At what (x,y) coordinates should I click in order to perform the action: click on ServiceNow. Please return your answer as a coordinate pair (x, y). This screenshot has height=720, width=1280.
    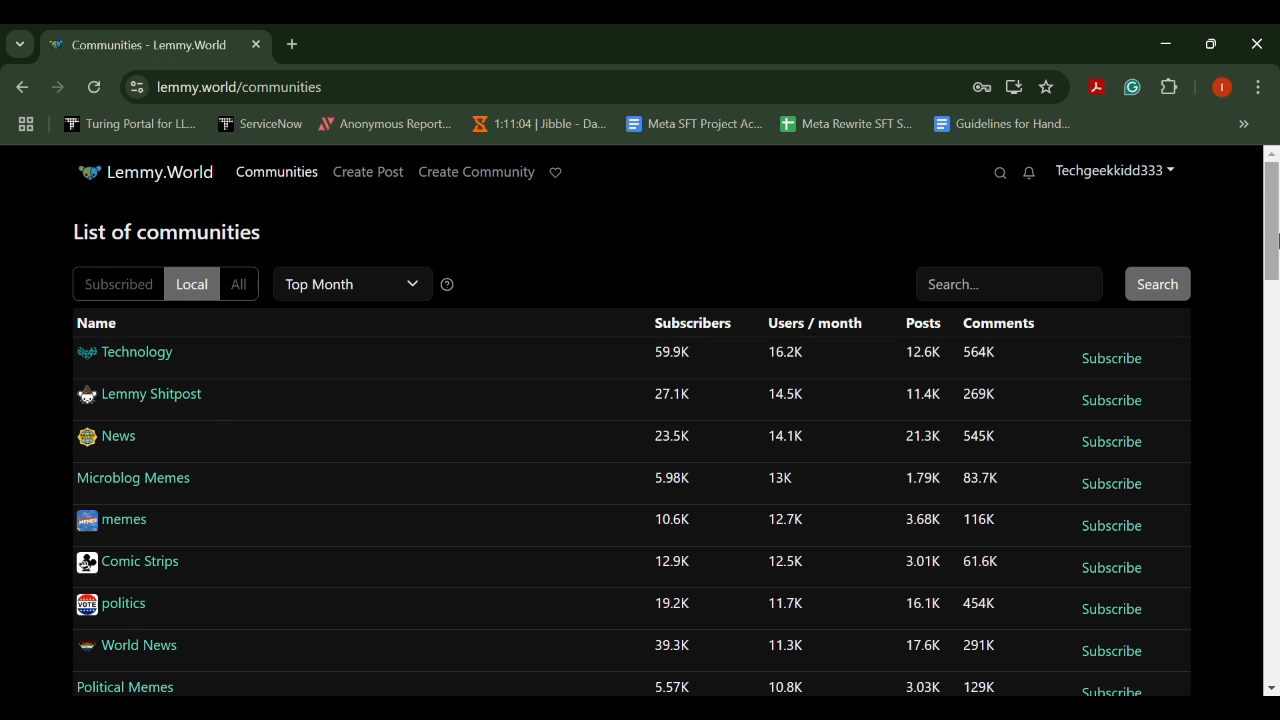
    Looking at the image, I should click on (261, 123).